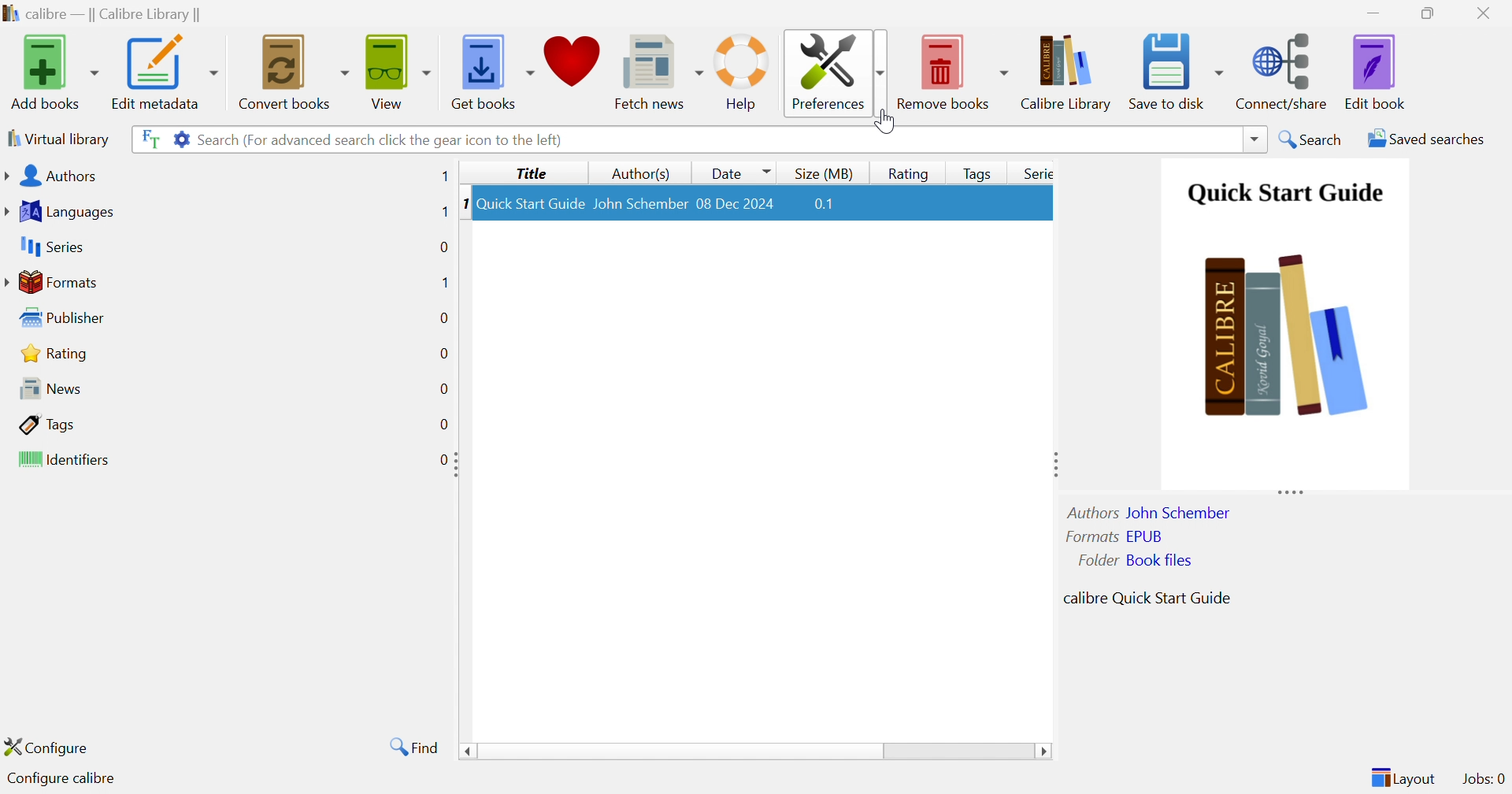 Image resolution: width=1512 pixels, height=794 pixels. What do you see at coordinates (737, 172) in the screenshot?
I see `Date` at bounding box center [737, 172].